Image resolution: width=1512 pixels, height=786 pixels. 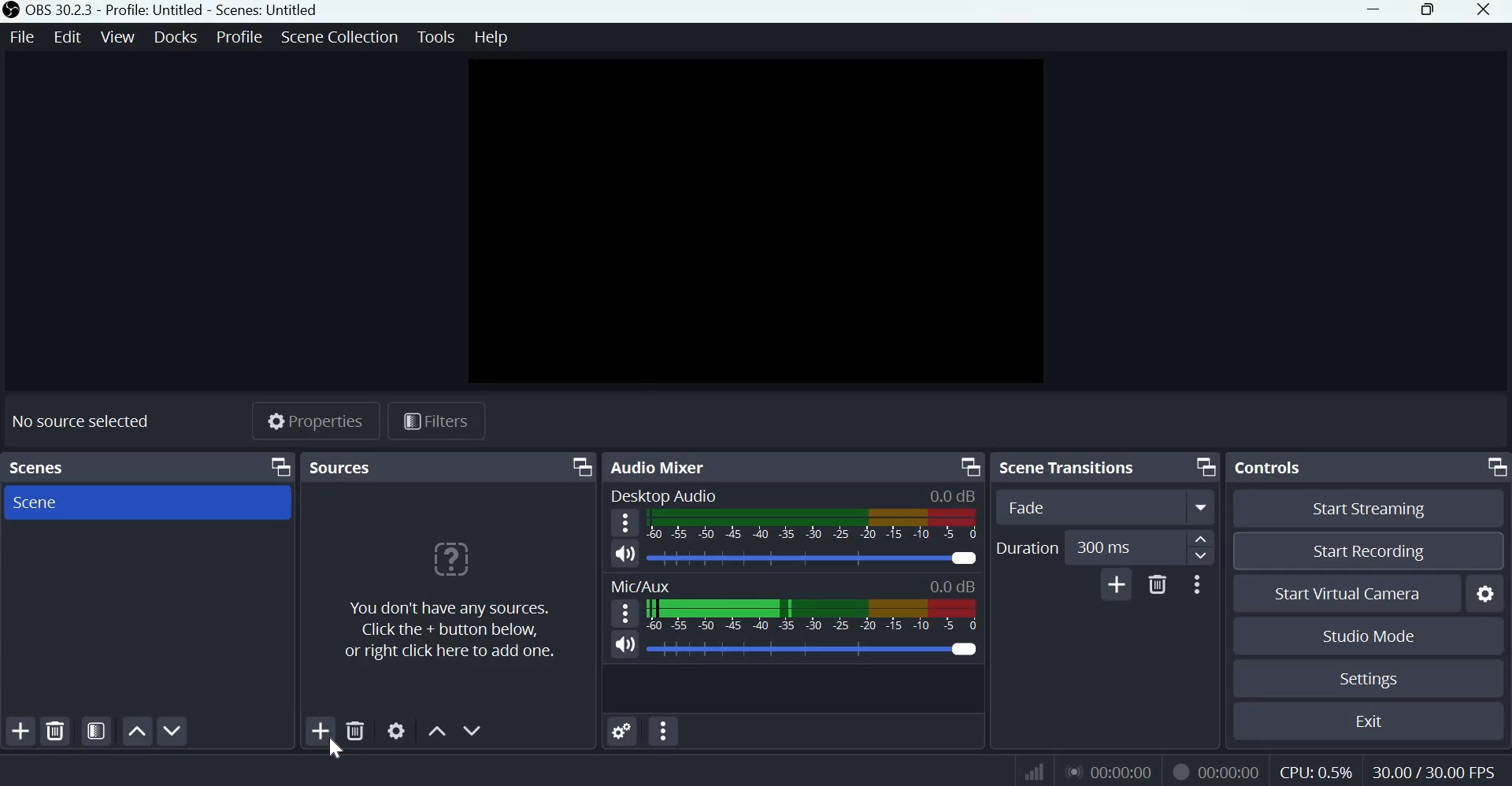 What do you see at coordinates (1231, 772) in the screenshot?
I see `00:00:00` at bounding box center [1231, 772].